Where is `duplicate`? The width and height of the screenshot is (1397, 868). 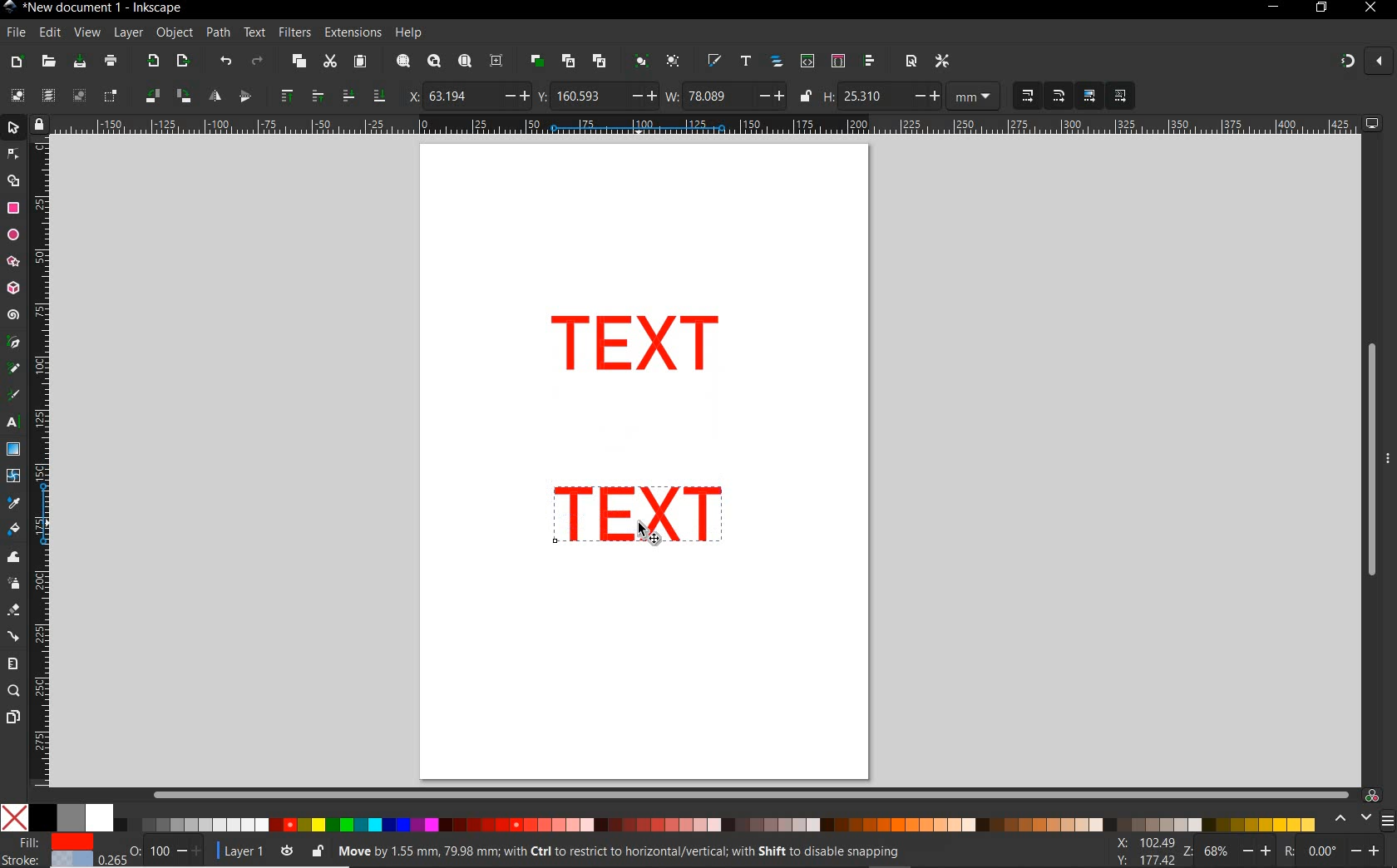 duplicate is located at coordinates (537, 61).